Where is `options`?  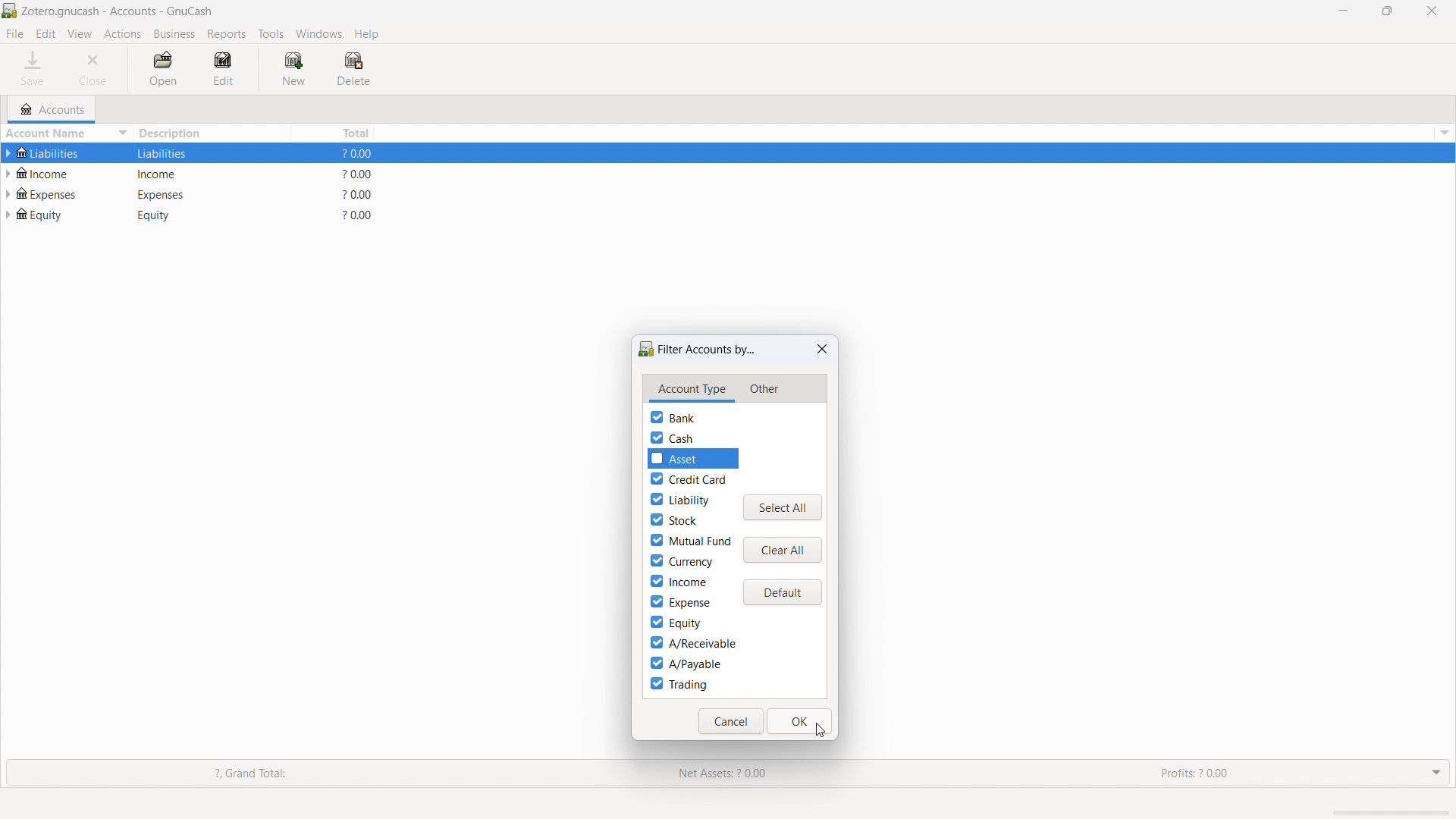
options is located at coordinates (1442, 133).